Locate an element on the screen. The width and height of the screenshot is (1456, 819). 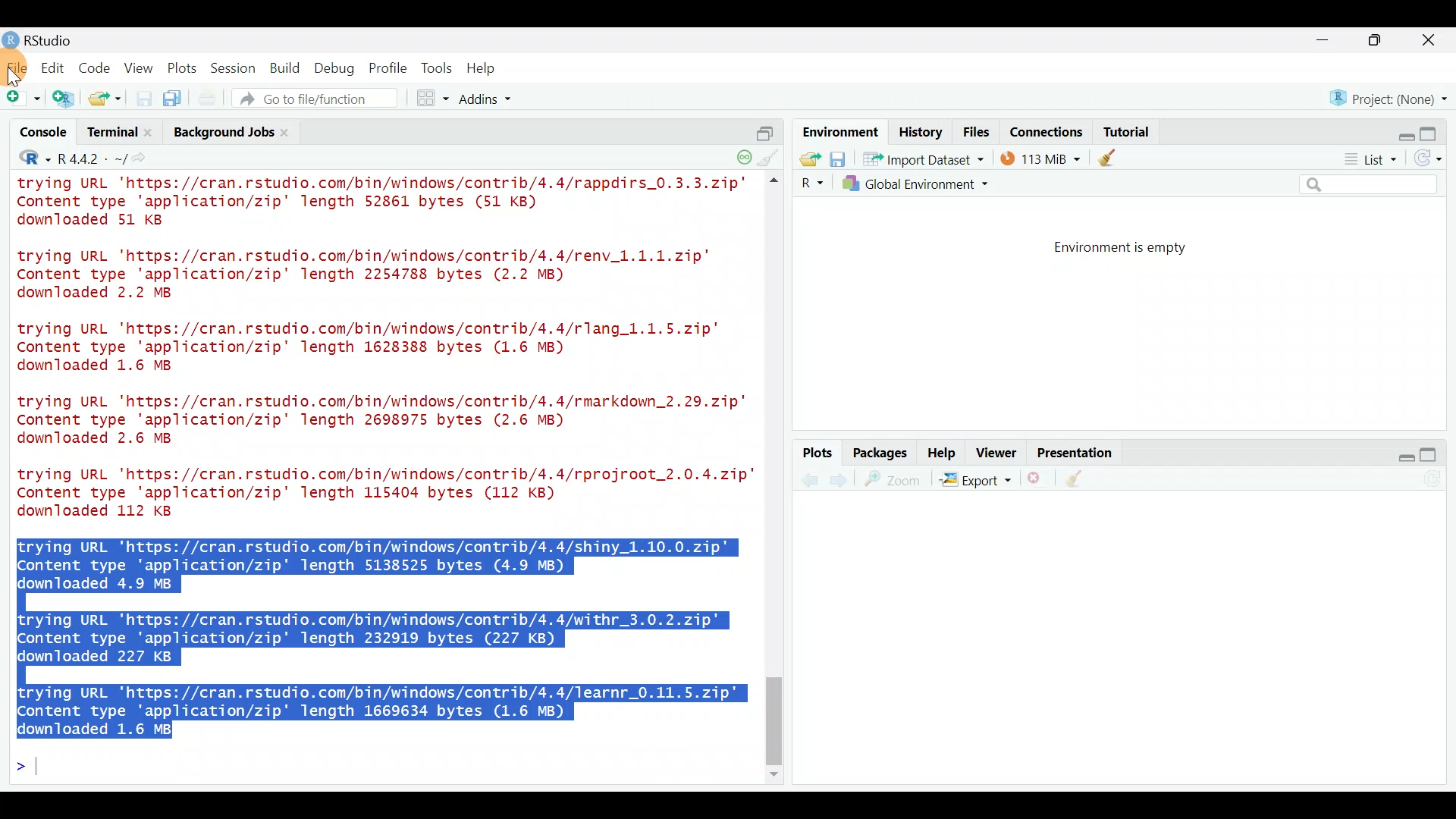
Viewer is located at coordinates (996, 454).